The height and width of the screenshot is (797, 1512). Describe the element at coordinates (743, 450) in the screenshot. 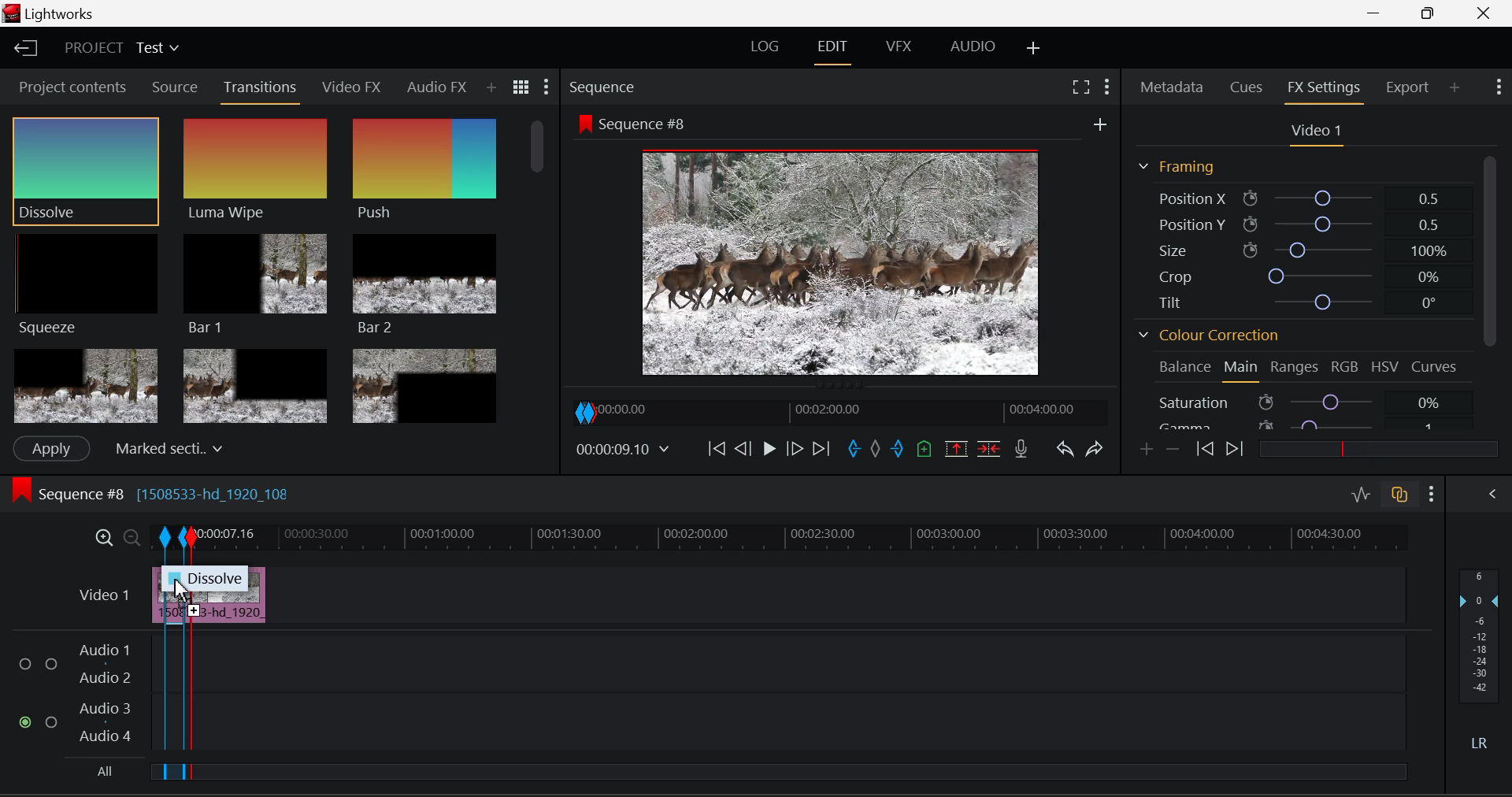

I see `Go Back` at that location.